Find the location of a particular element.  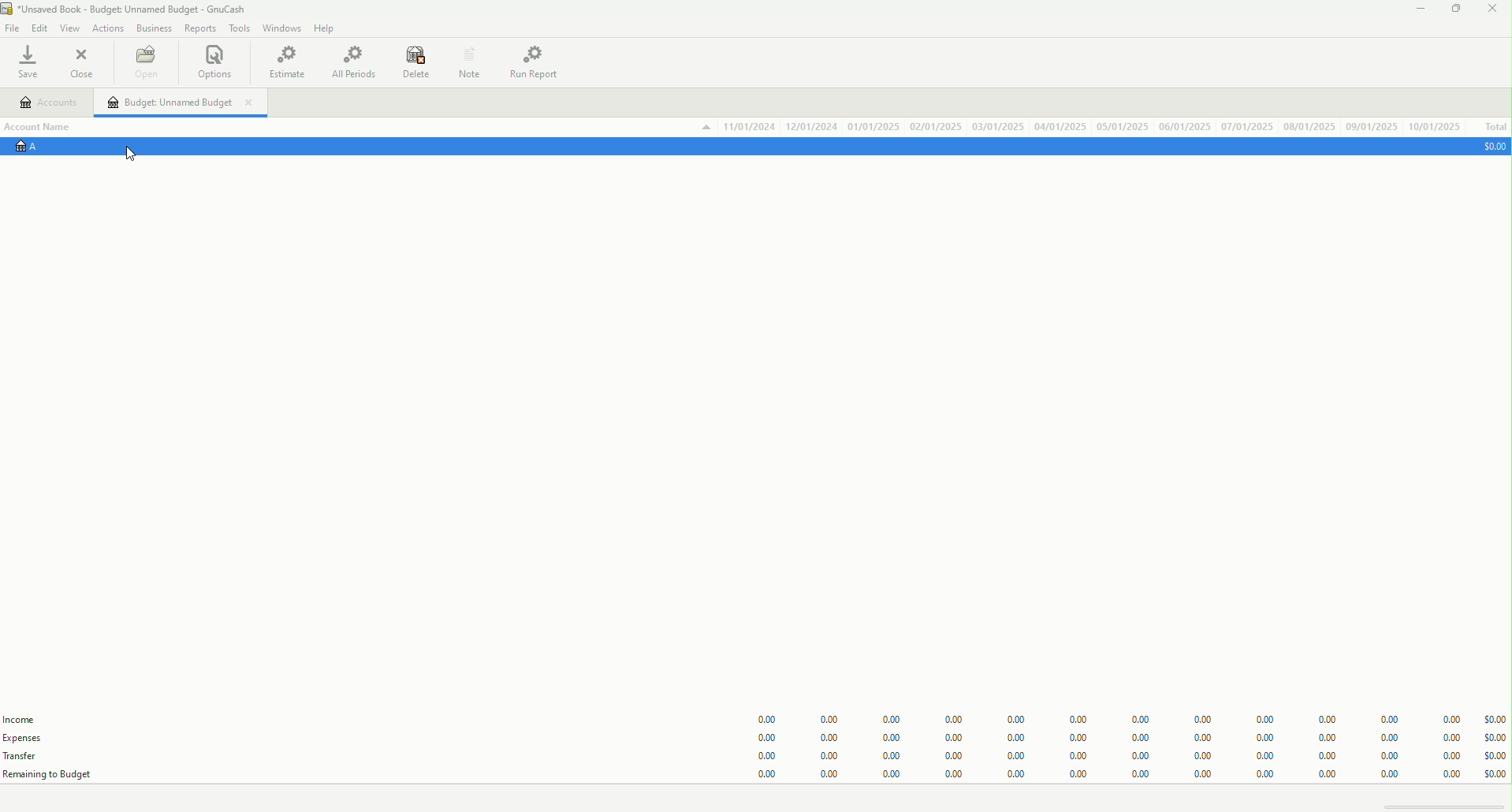

Cursor is located at coordinates (125, 153).